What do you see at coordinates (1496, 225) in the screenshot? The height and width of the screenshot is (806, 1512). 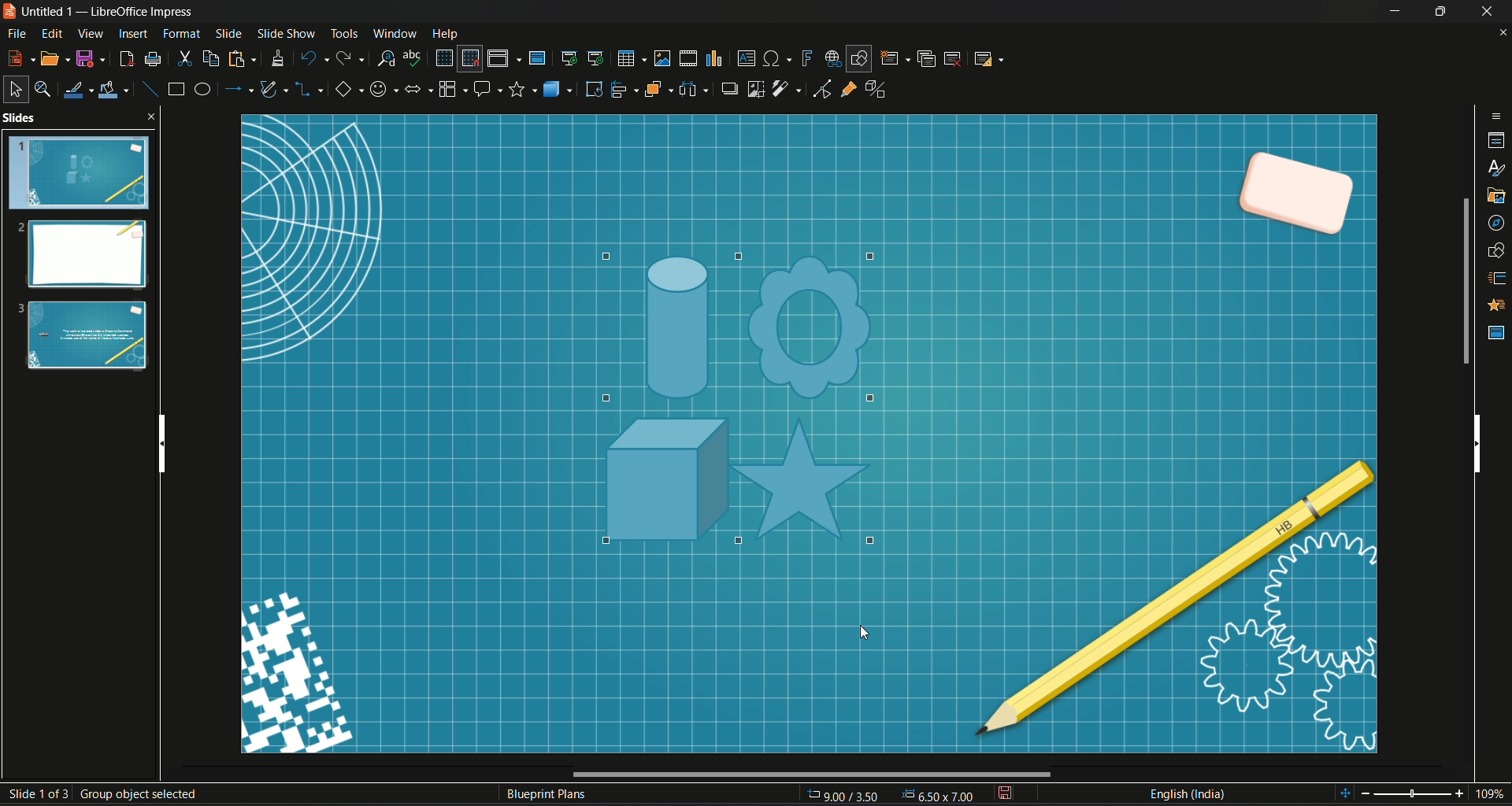 I see `navigator` at bounding box center [1496, 225].